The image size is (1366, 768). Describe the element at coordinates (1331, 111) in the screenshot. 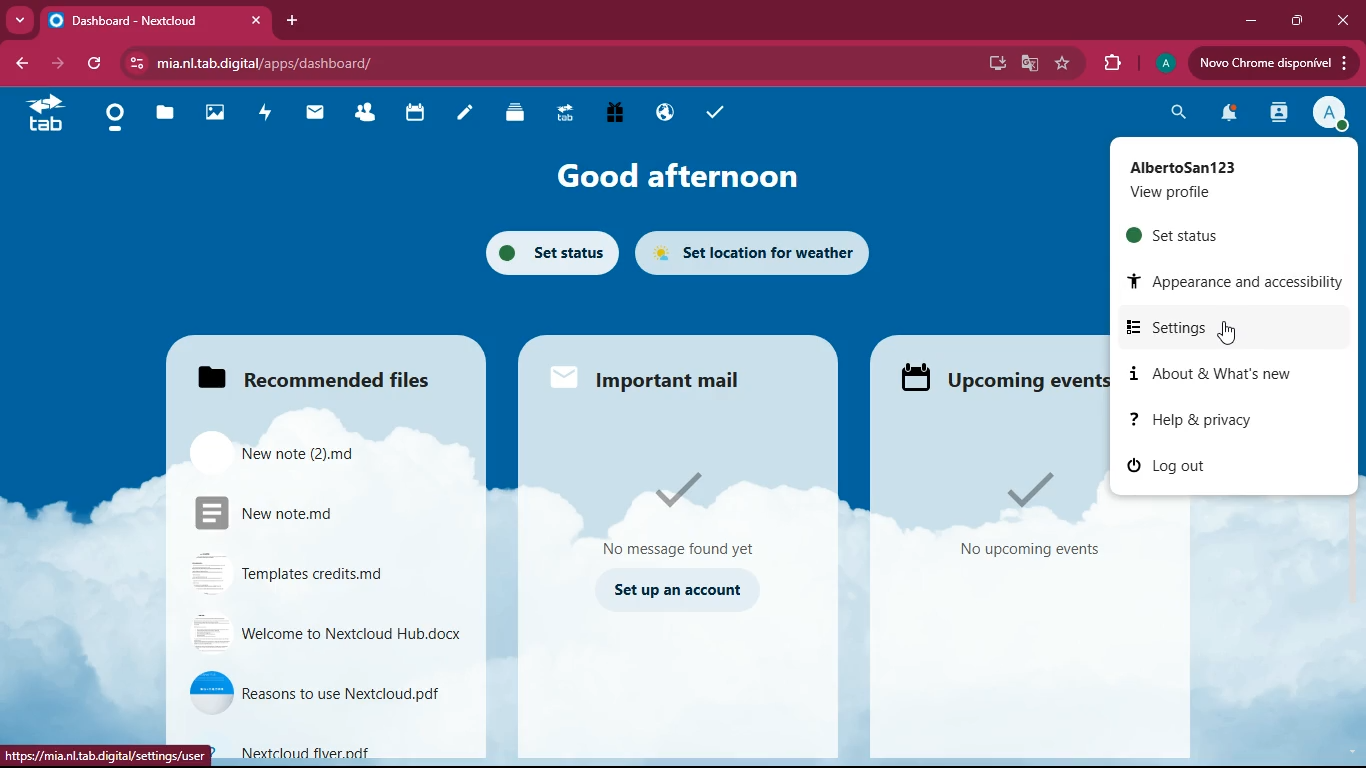

I see `profile` at that location.